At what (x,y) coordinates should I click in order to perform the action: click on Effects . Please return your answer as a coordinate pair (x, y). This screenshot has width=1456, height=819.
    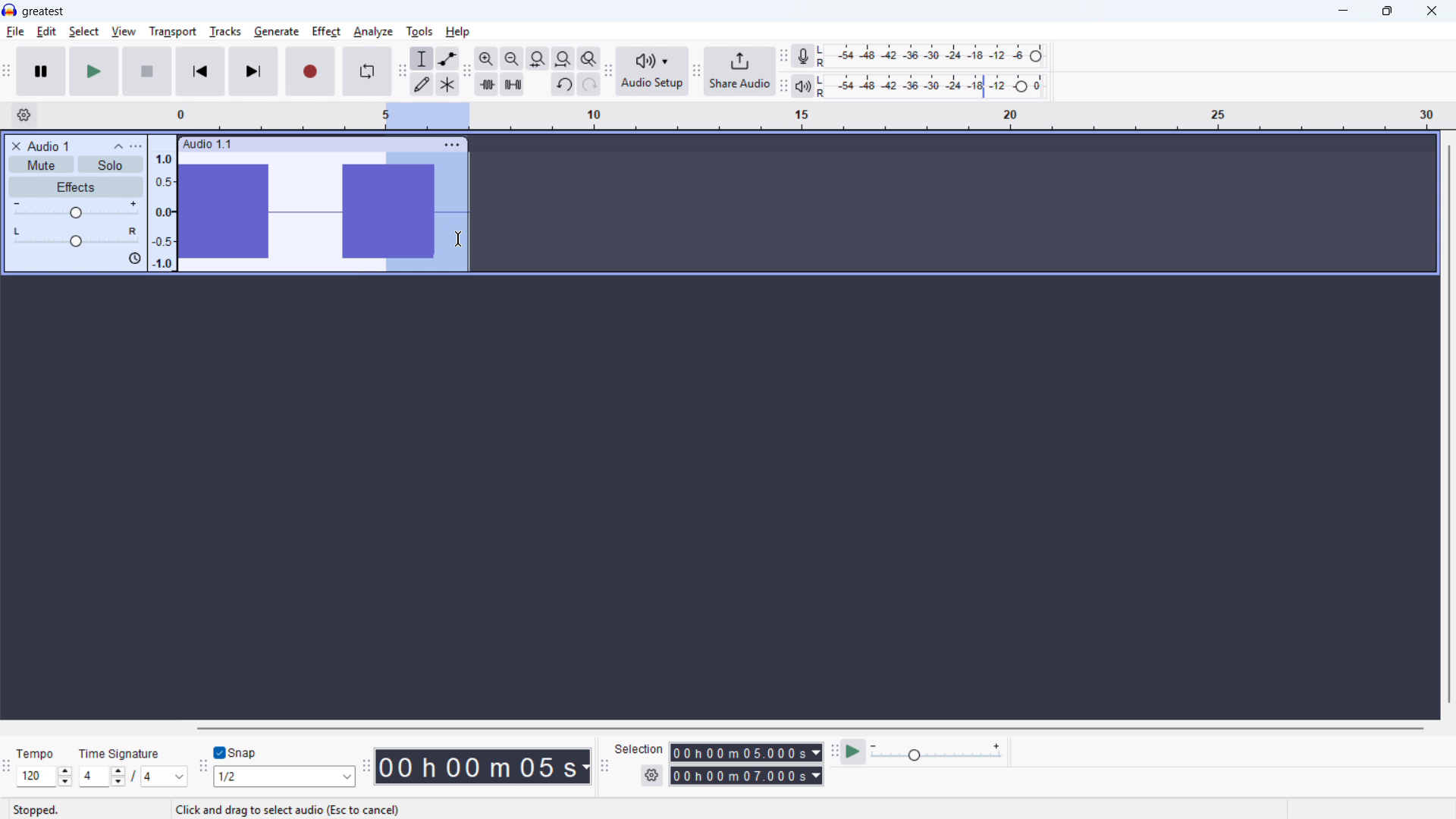
    Looking at the image, I should click on (77, 187).